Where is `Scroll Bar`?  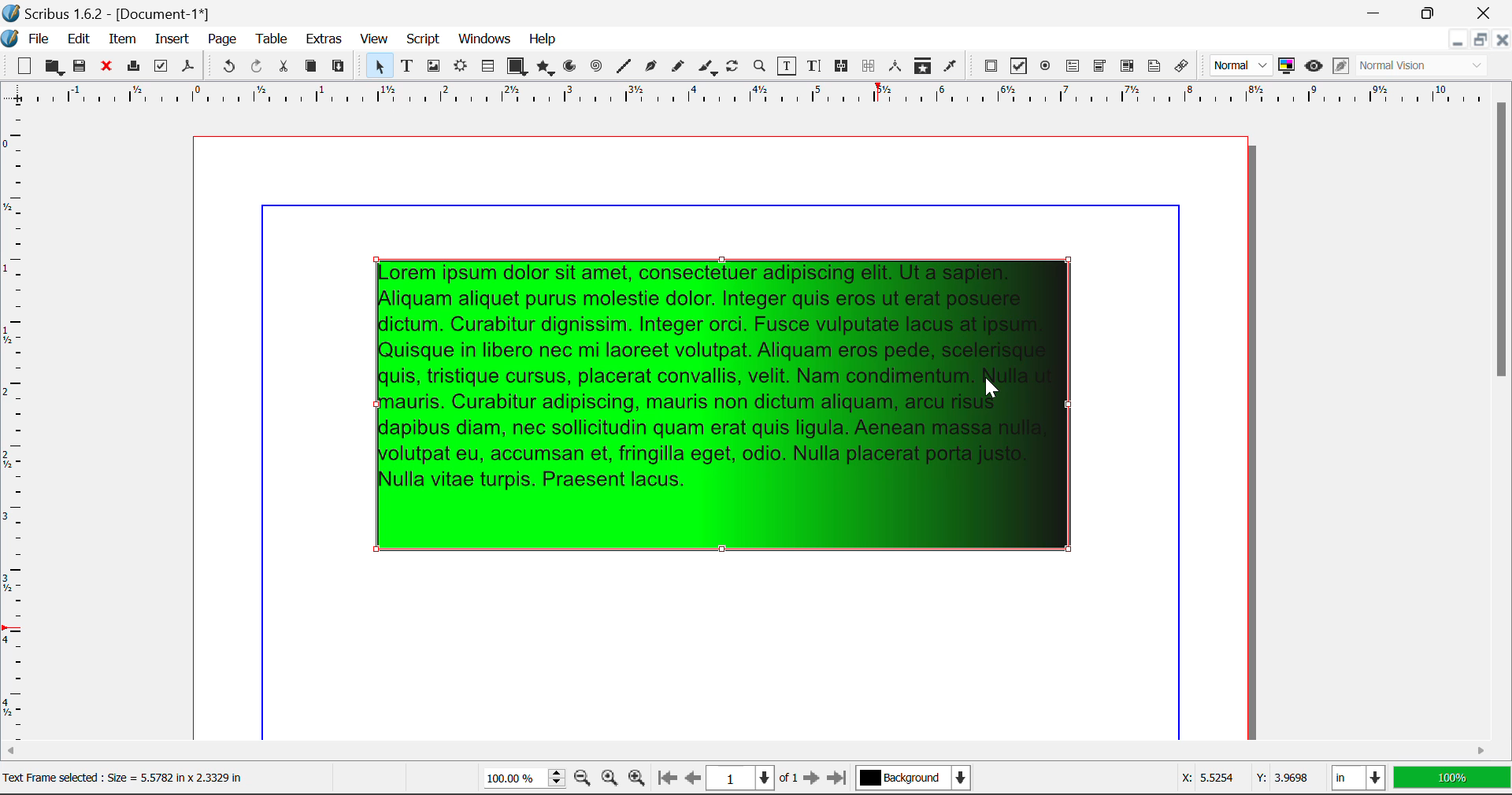
Scroll Bar is located at coordinates (1503, 411).